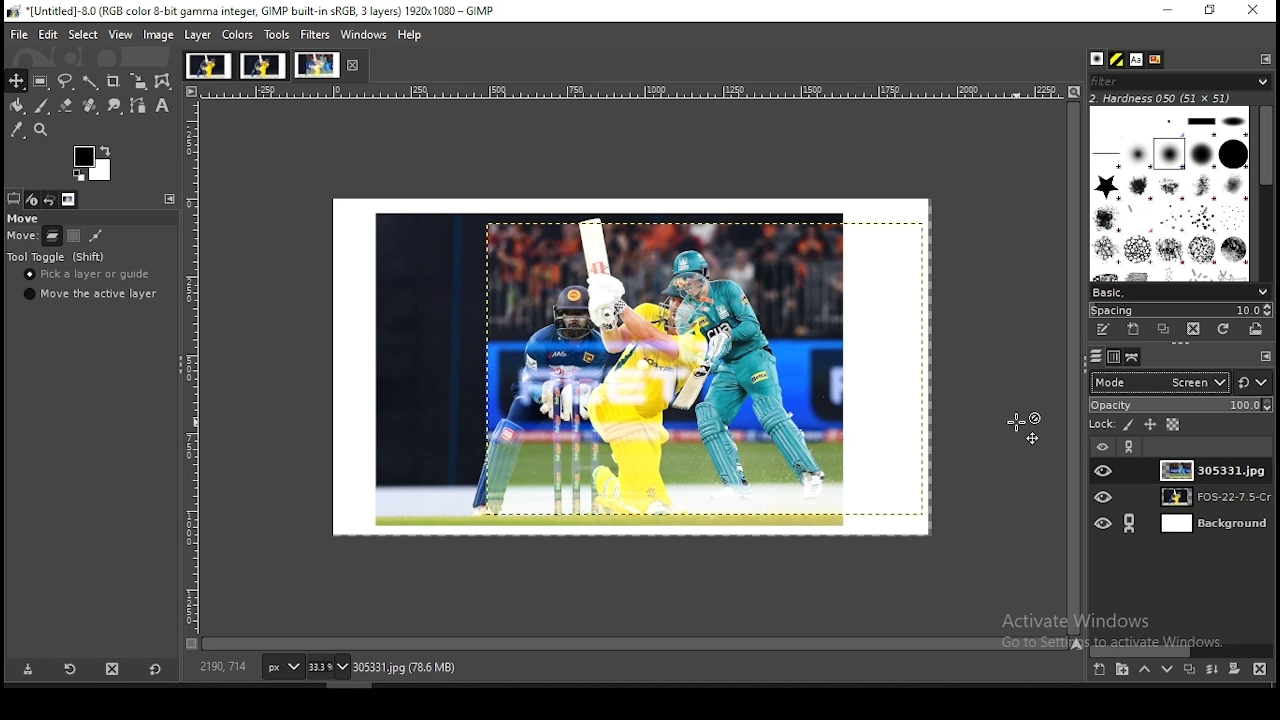 Image resolution: width=1280 pixels, height=720 pixels. Describe the element at coordinates (53, 236) in the screenshot. I see `move layers` at that location.